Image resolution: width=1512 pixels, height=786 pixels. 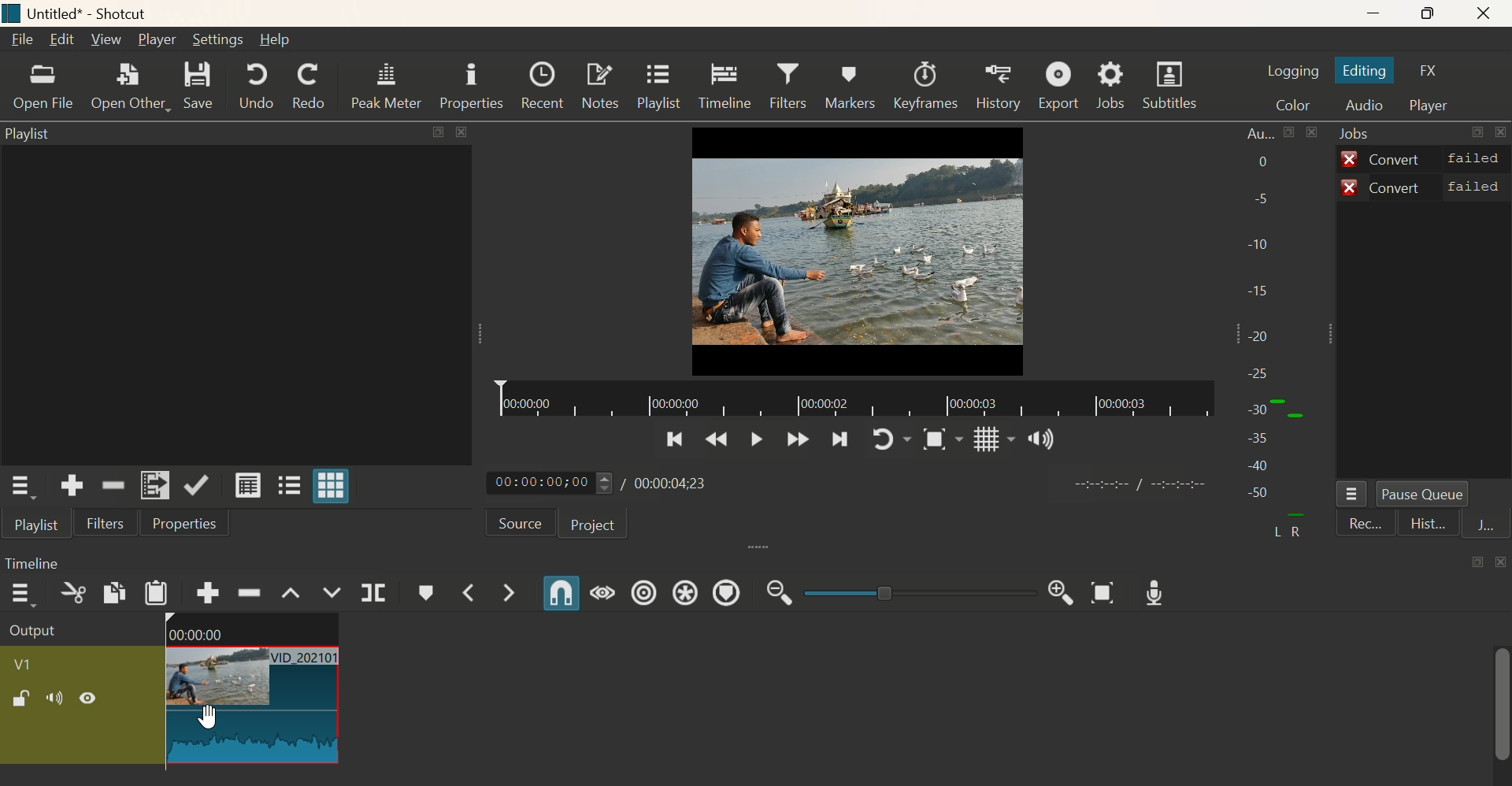 I want to click on scrollbar, so click(x=1502, y=711).